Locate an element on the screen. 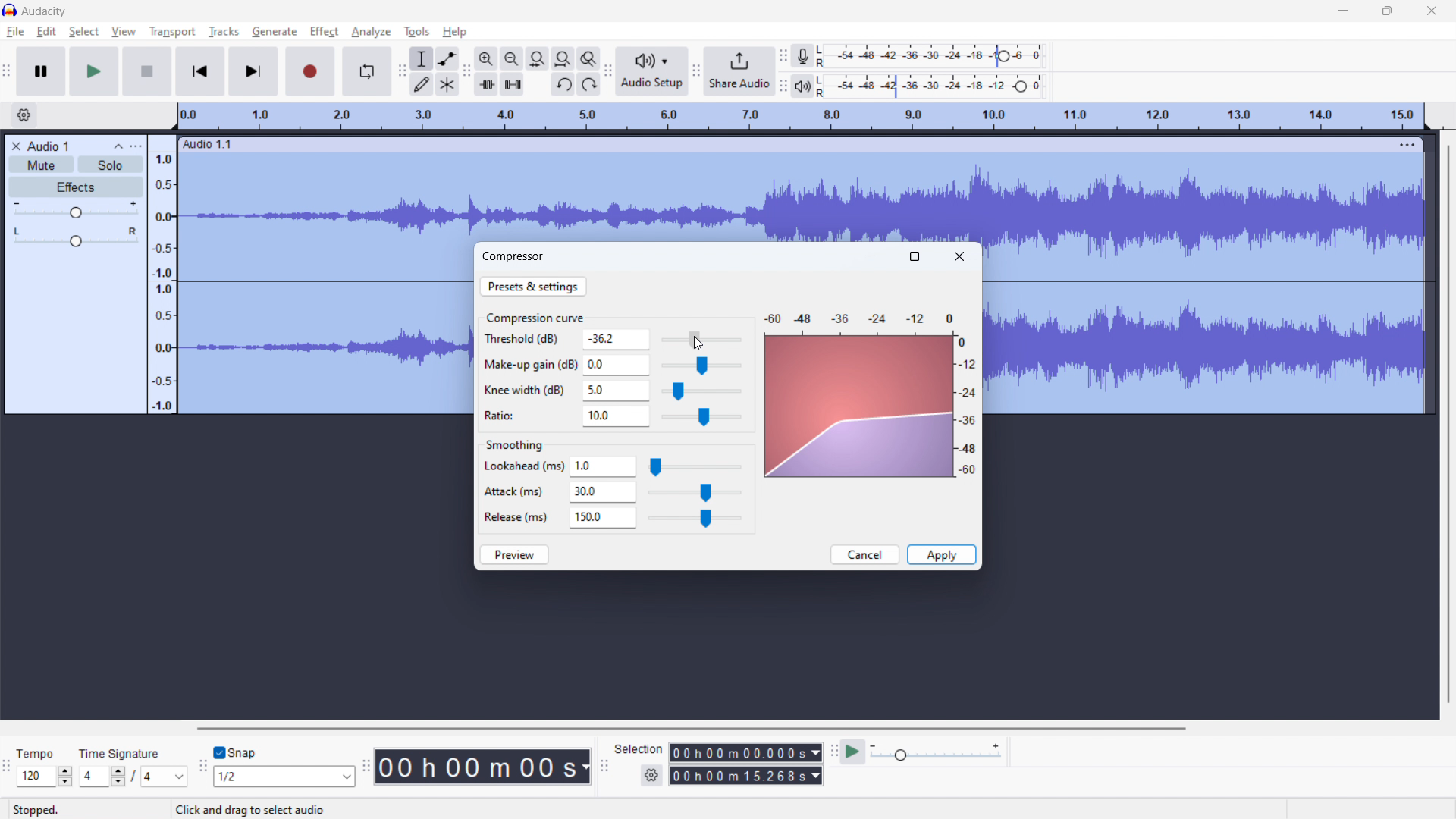 The height and width of the screenshot is (819, 1456). -36.2 is located at coordinates (617, 339).